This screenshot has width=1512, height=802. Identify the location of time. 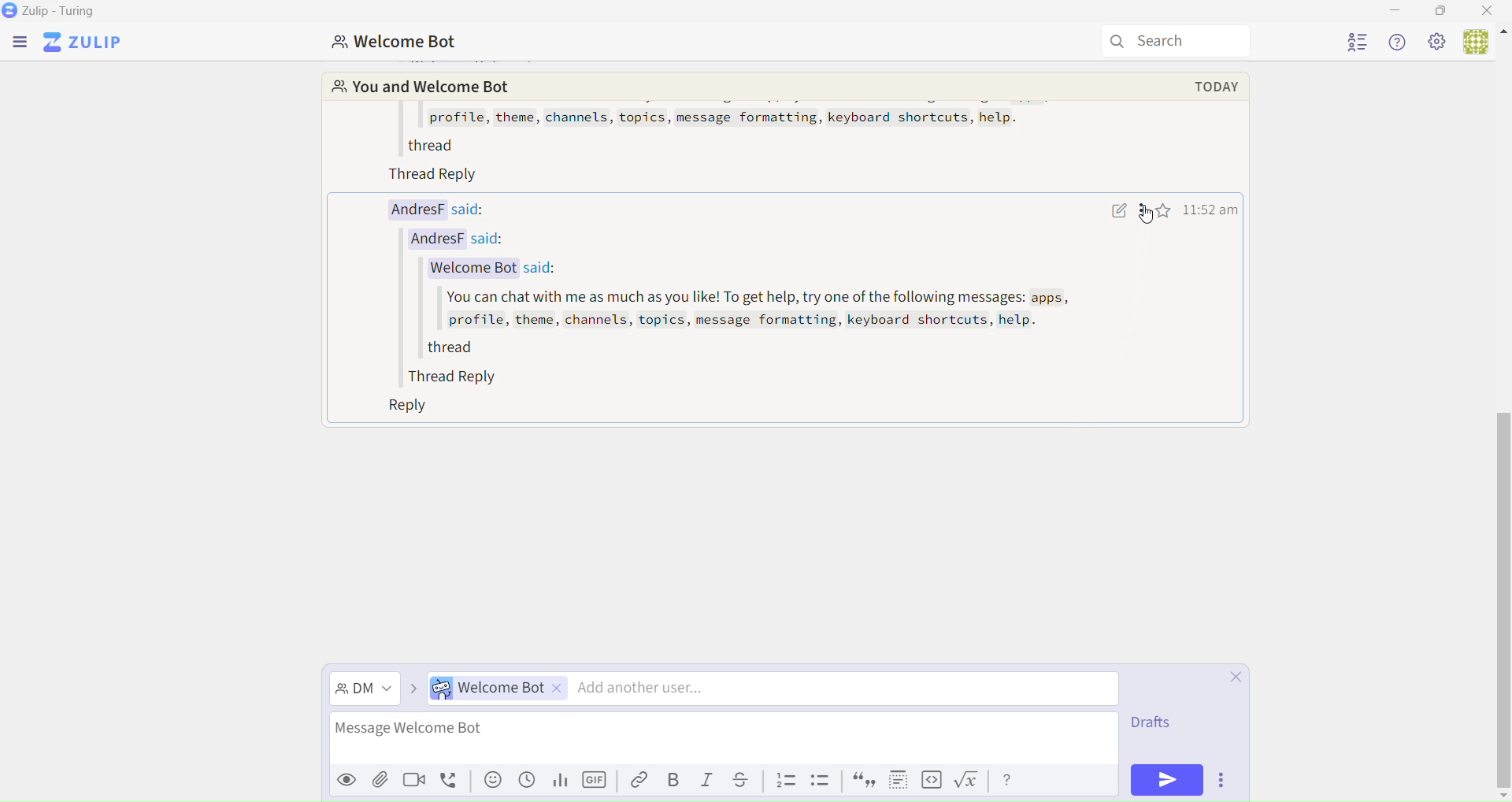
(1211, 208).